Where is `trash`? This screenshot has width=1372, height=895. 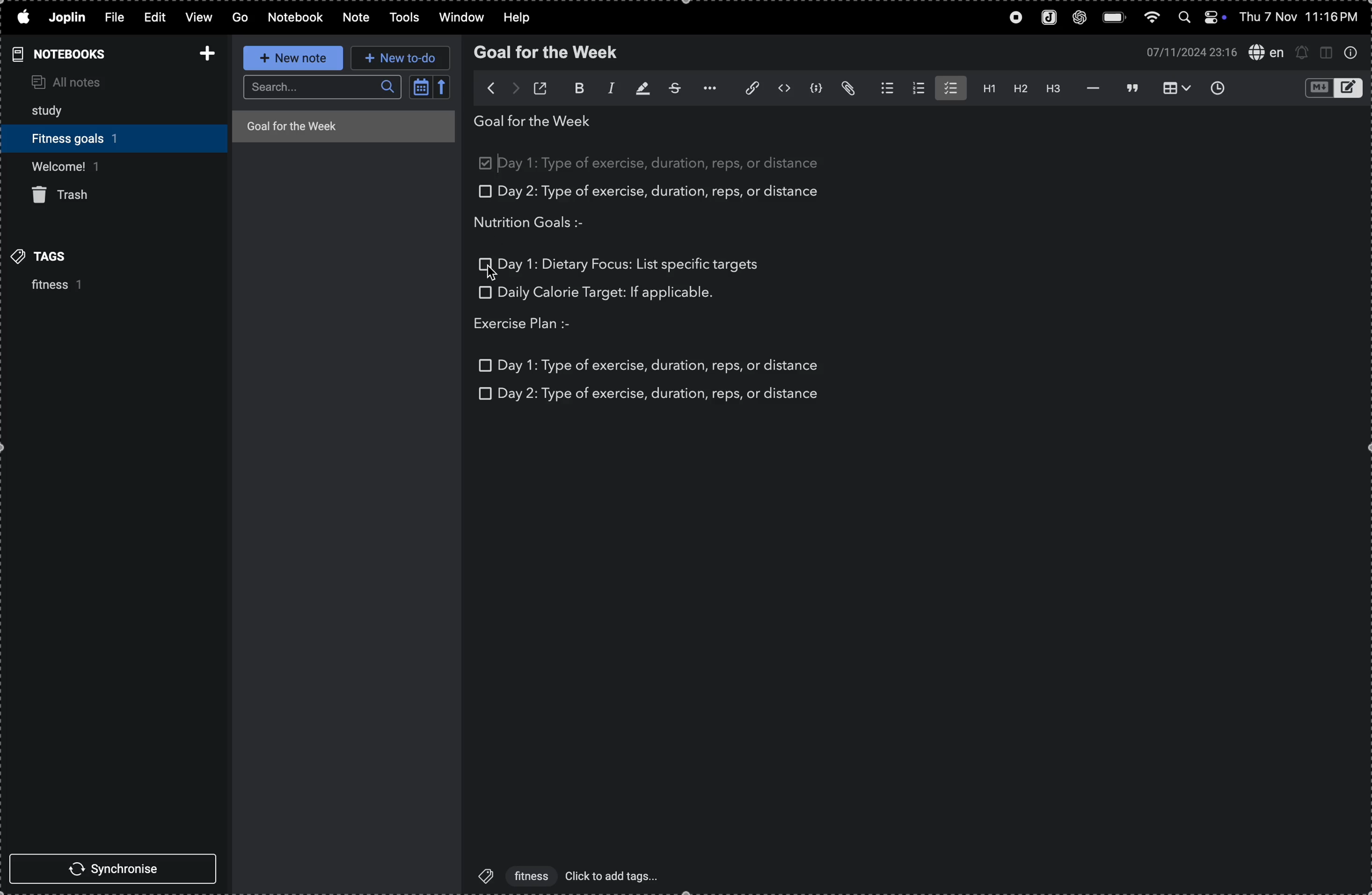 trash is located at coordinates (69, 196).